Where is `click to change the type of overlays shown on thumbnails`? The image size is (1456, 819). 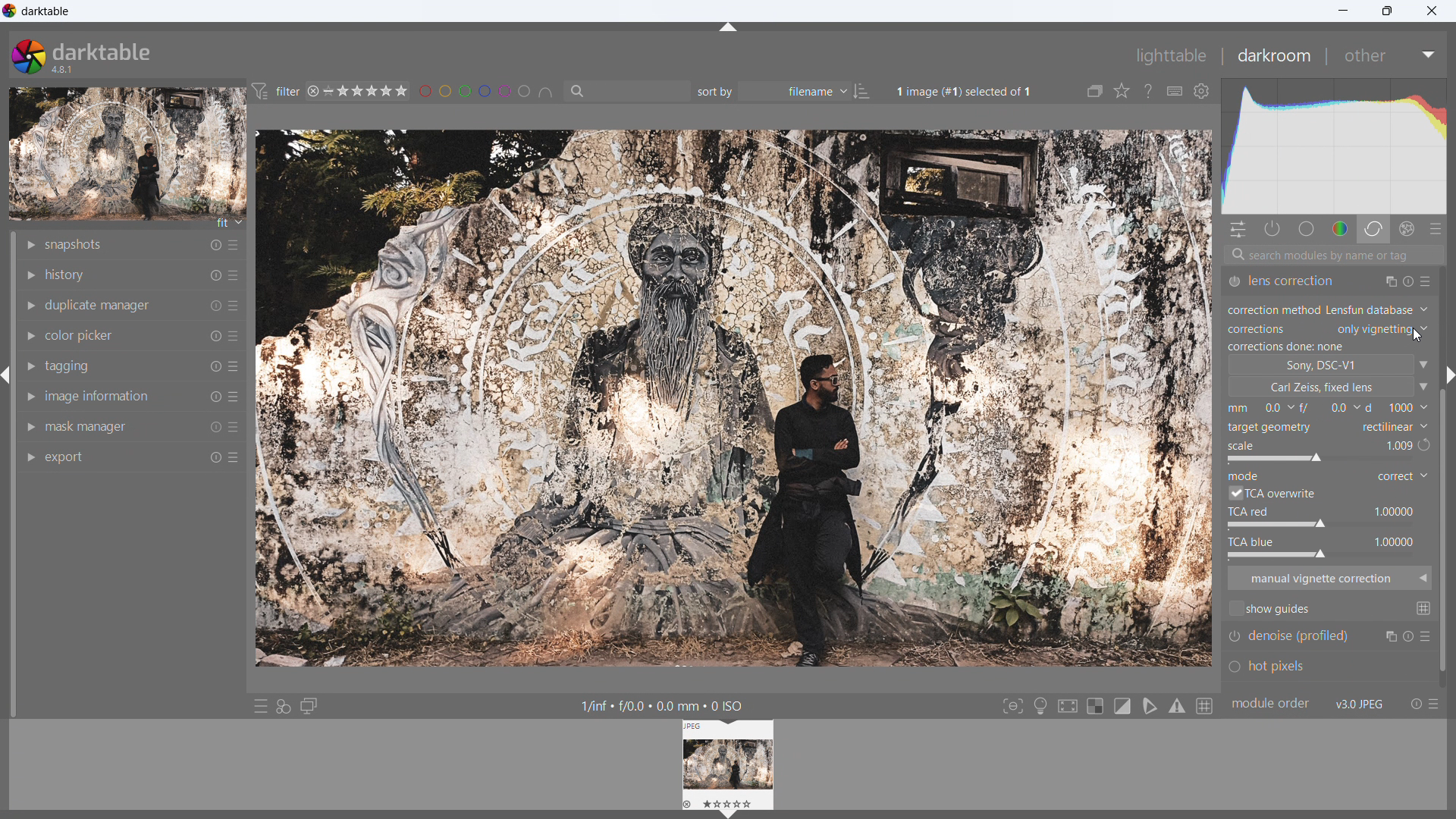 click to change the type of overlays shown on thumbnails is located at coordinates (1122, 92).